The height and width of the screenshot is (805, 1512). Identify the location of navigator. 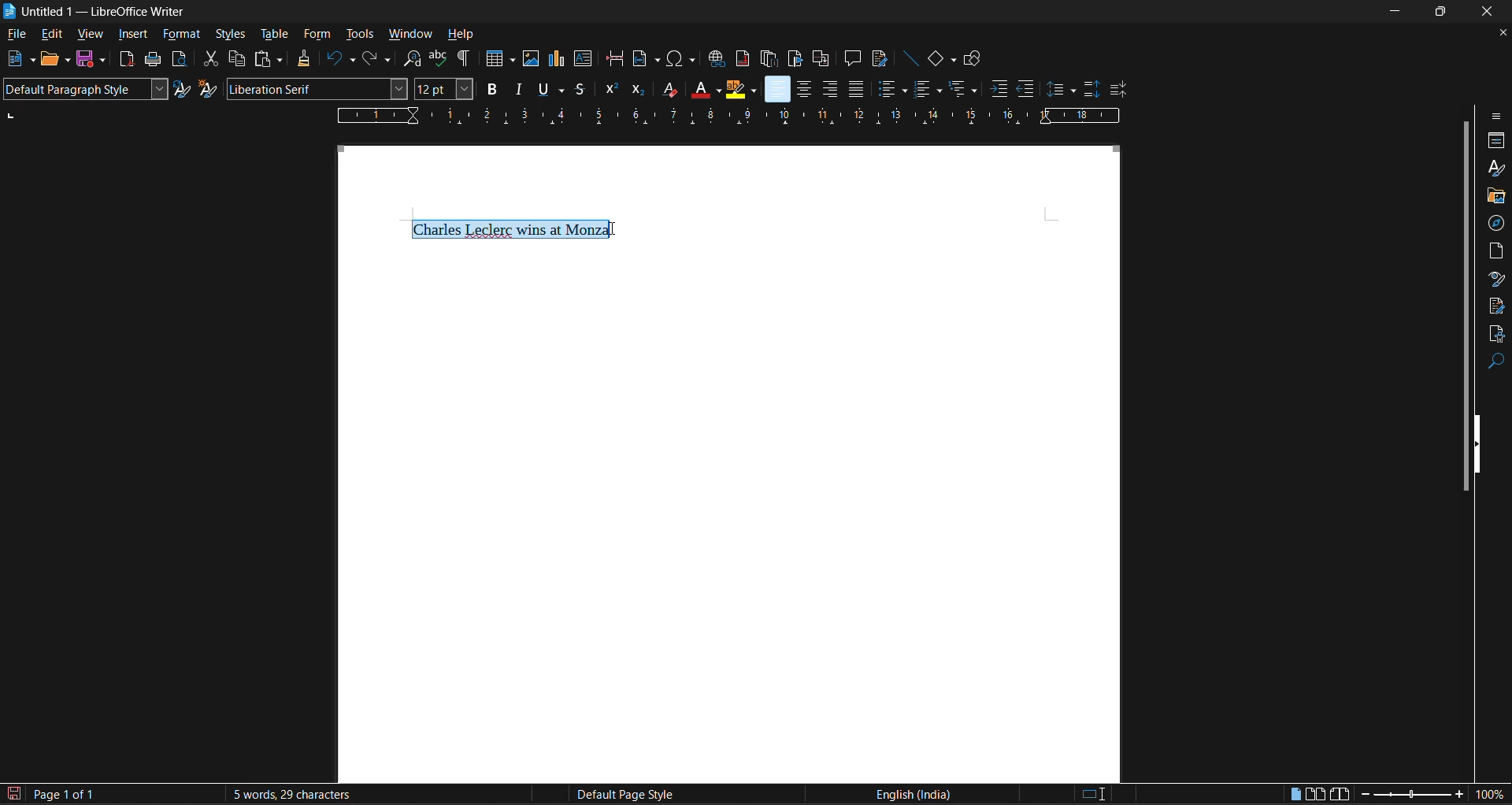
(1496, 224).